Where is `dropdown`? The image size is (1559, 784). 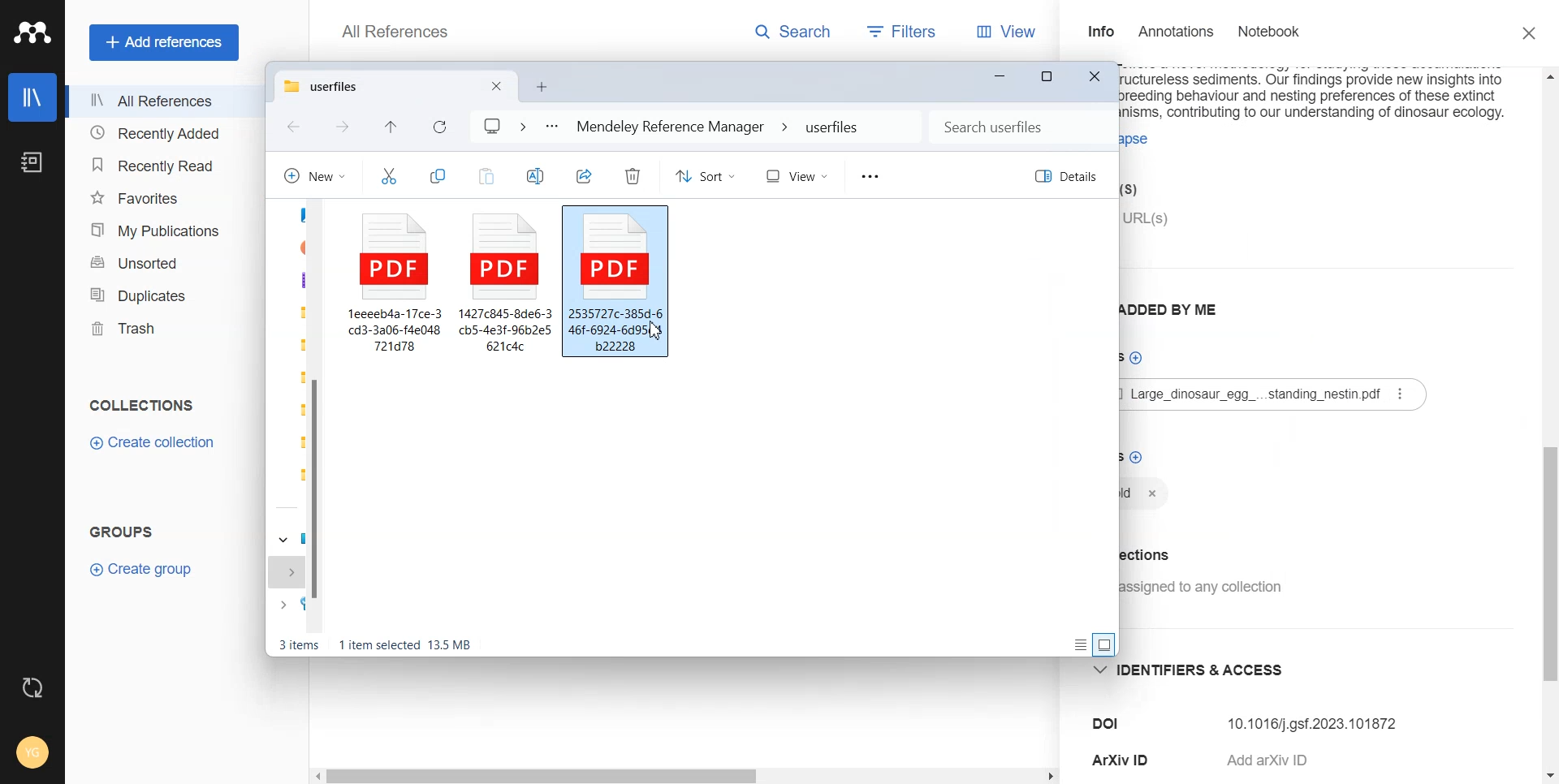 dropdown is located at coordinates (1098, 668).